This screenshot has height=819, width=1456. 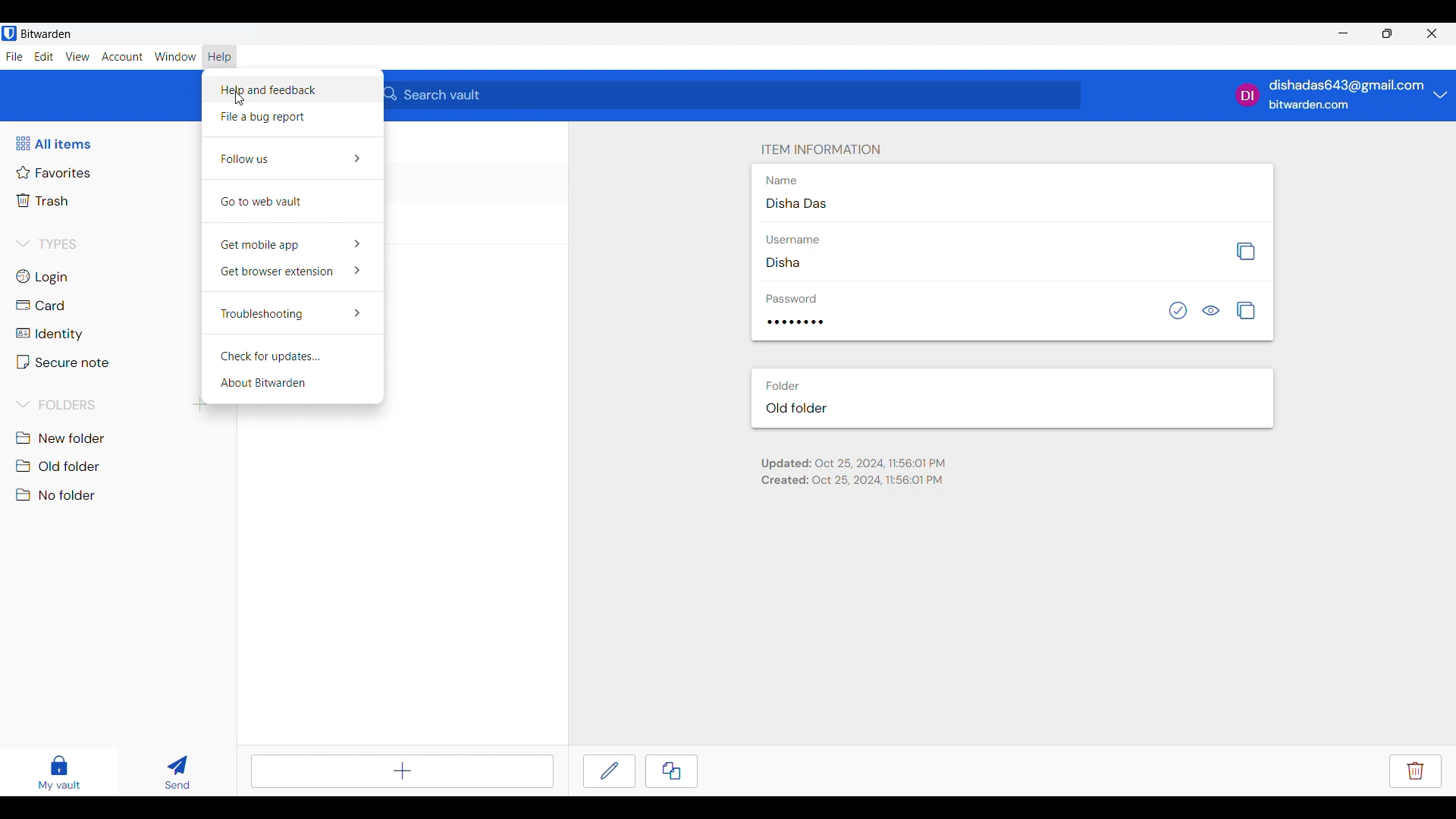 What do you see at coordinates (1245, 252) in the screenshot?
I see `Copy respective detail` at bounding box center [1245, 252].